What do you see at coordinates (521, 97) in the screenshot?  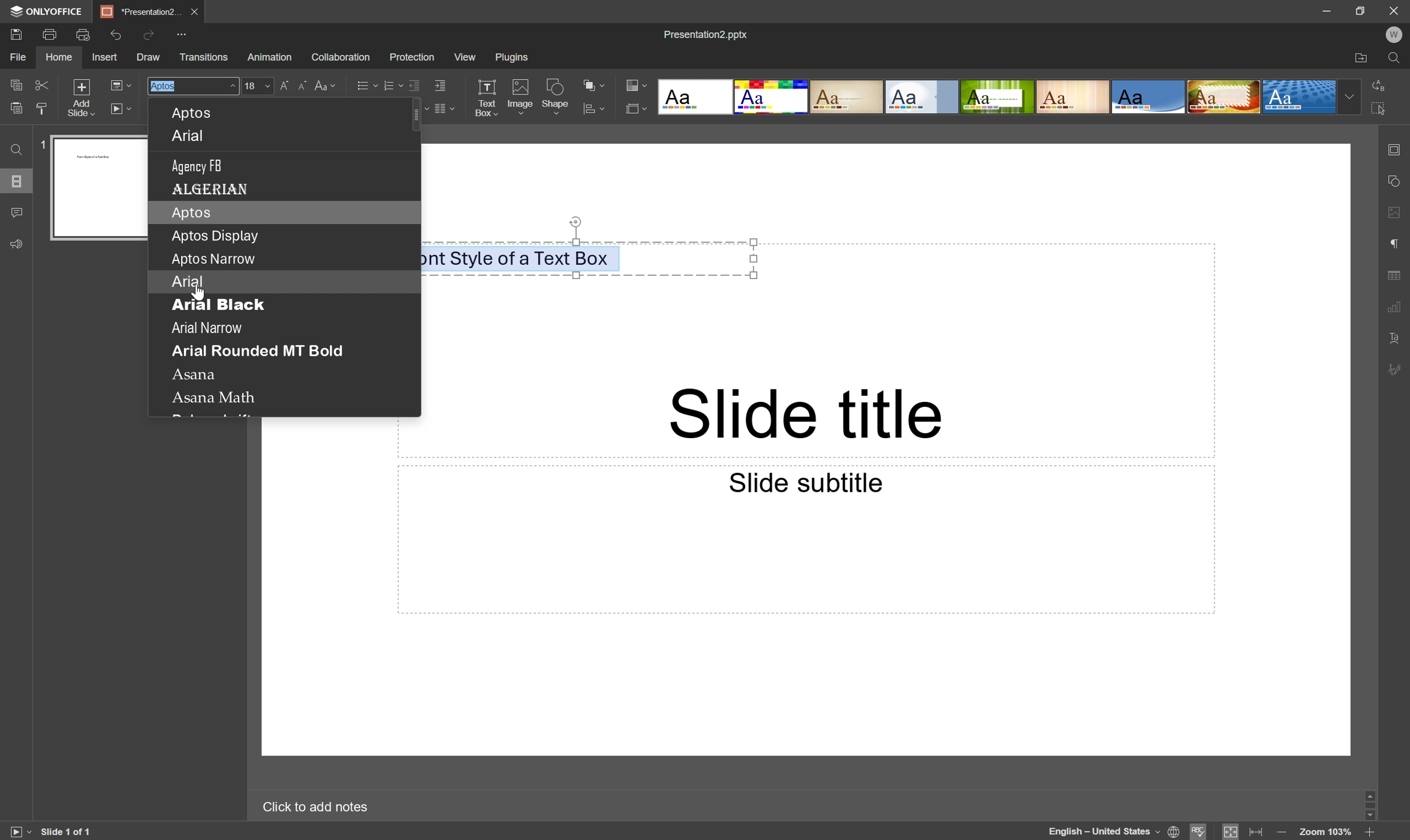 I see `Image` at bounding box center [521, 97].